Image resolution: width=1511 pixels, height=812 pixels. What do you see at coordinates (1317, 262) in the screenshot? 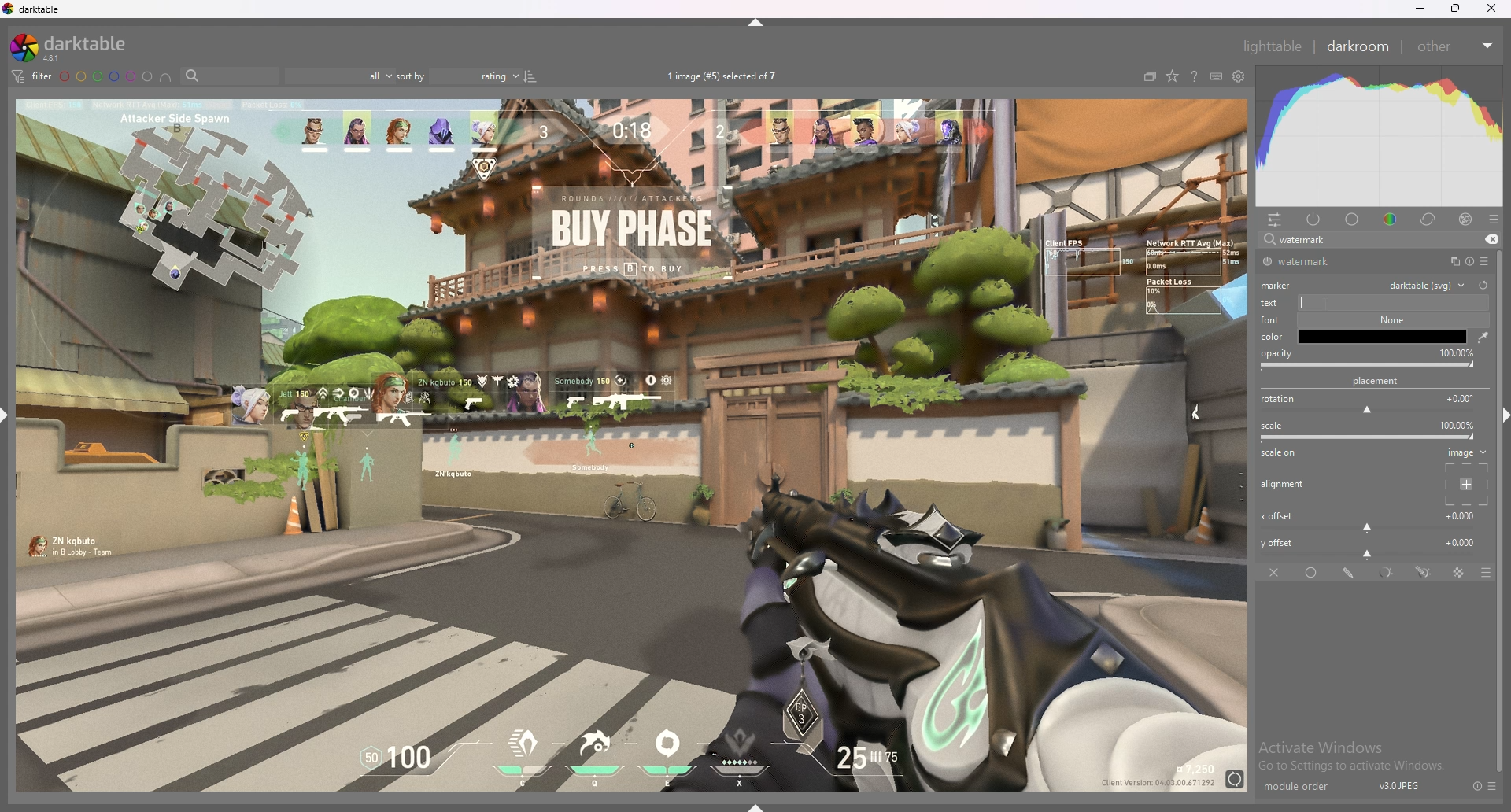
I see `watermark` at bounding box center [1317, 262].